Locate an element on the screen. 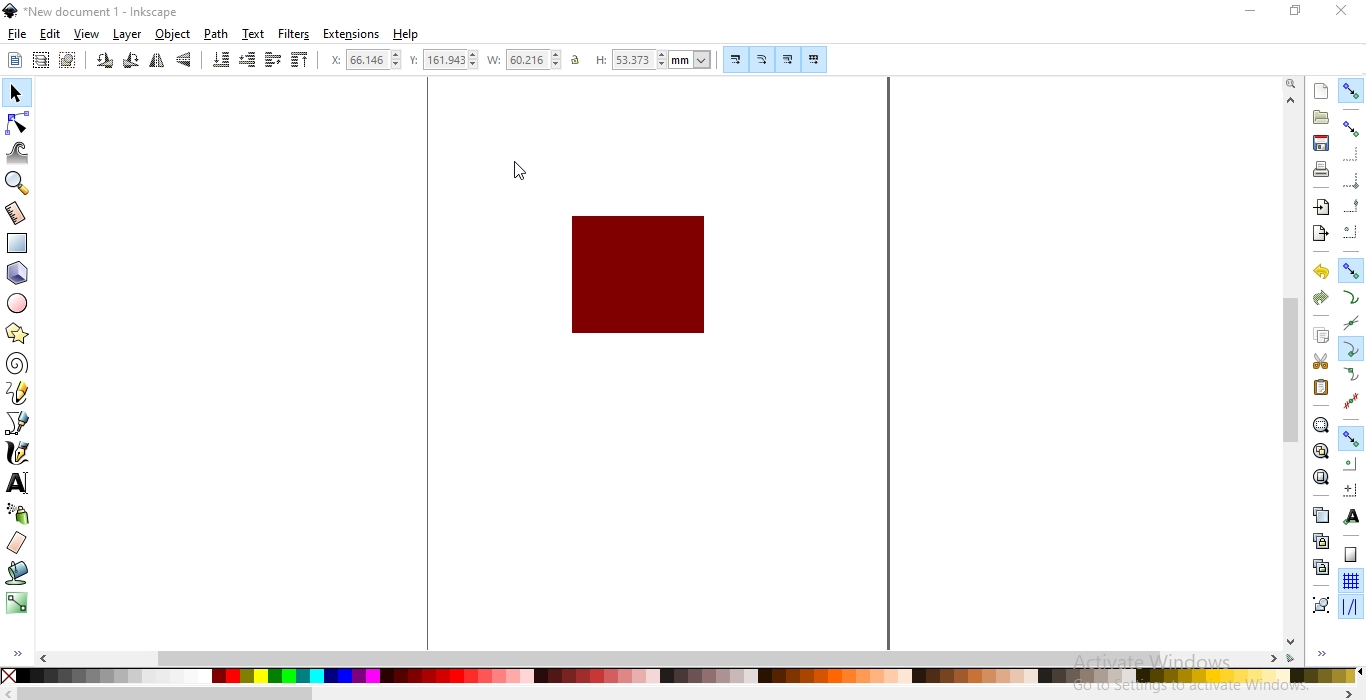 The image size is (1366, 700). snap midpoints of  is located at coordinates (1351, 208).